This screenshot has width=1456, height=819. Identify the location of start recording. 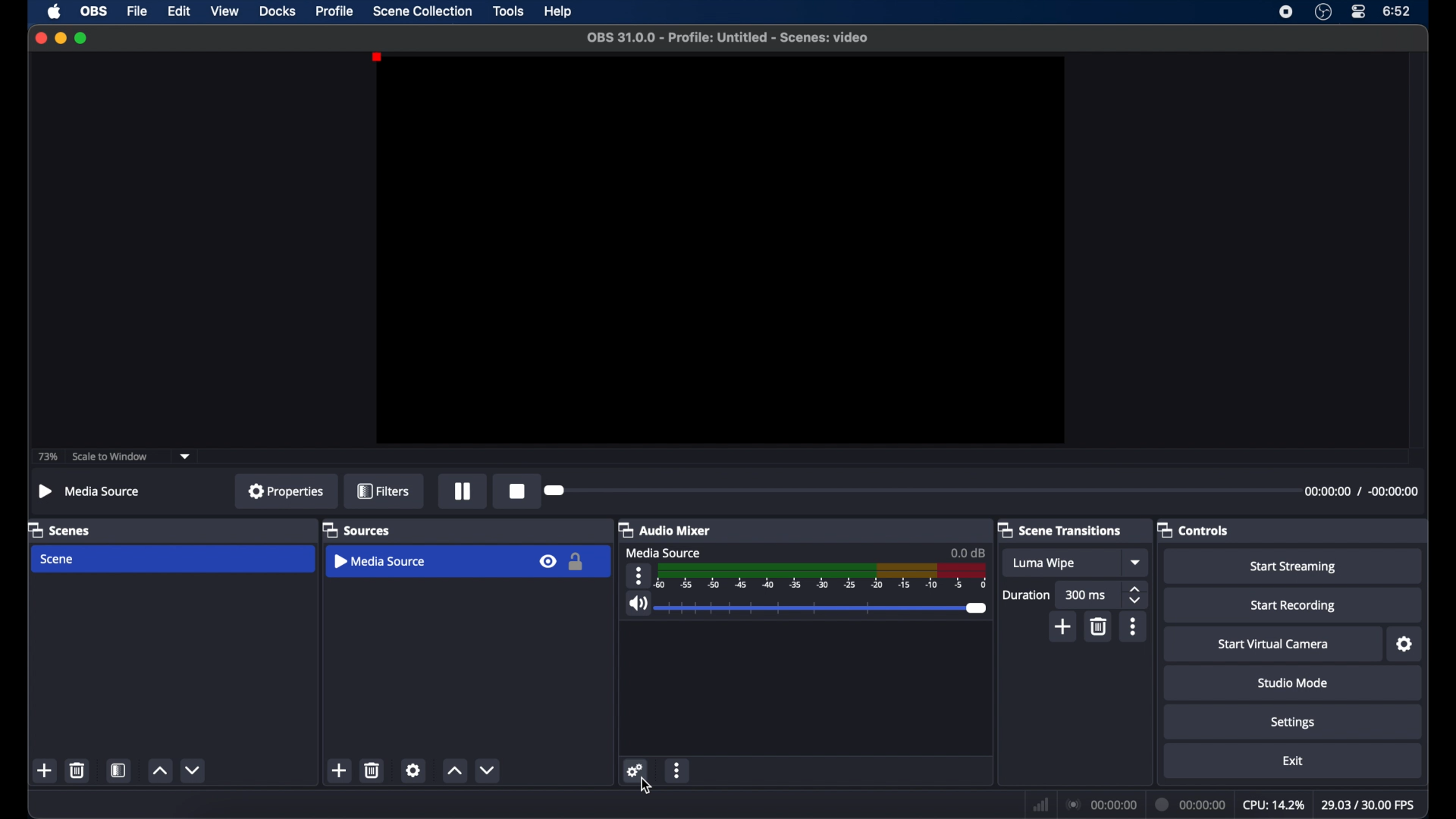
(1294, 606).